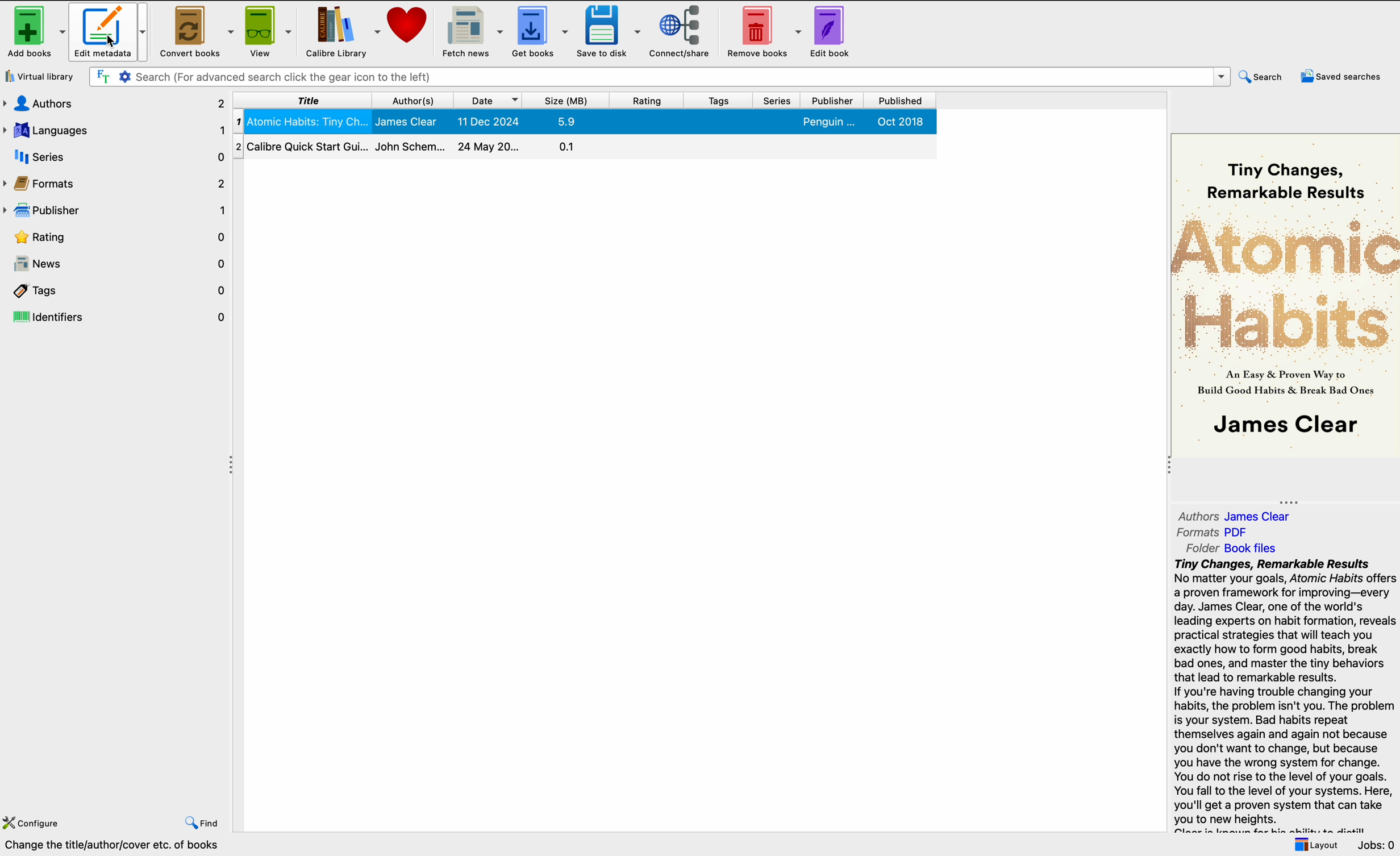 The image size is (1400, 856). I want to click on donate, so click(409, 27).